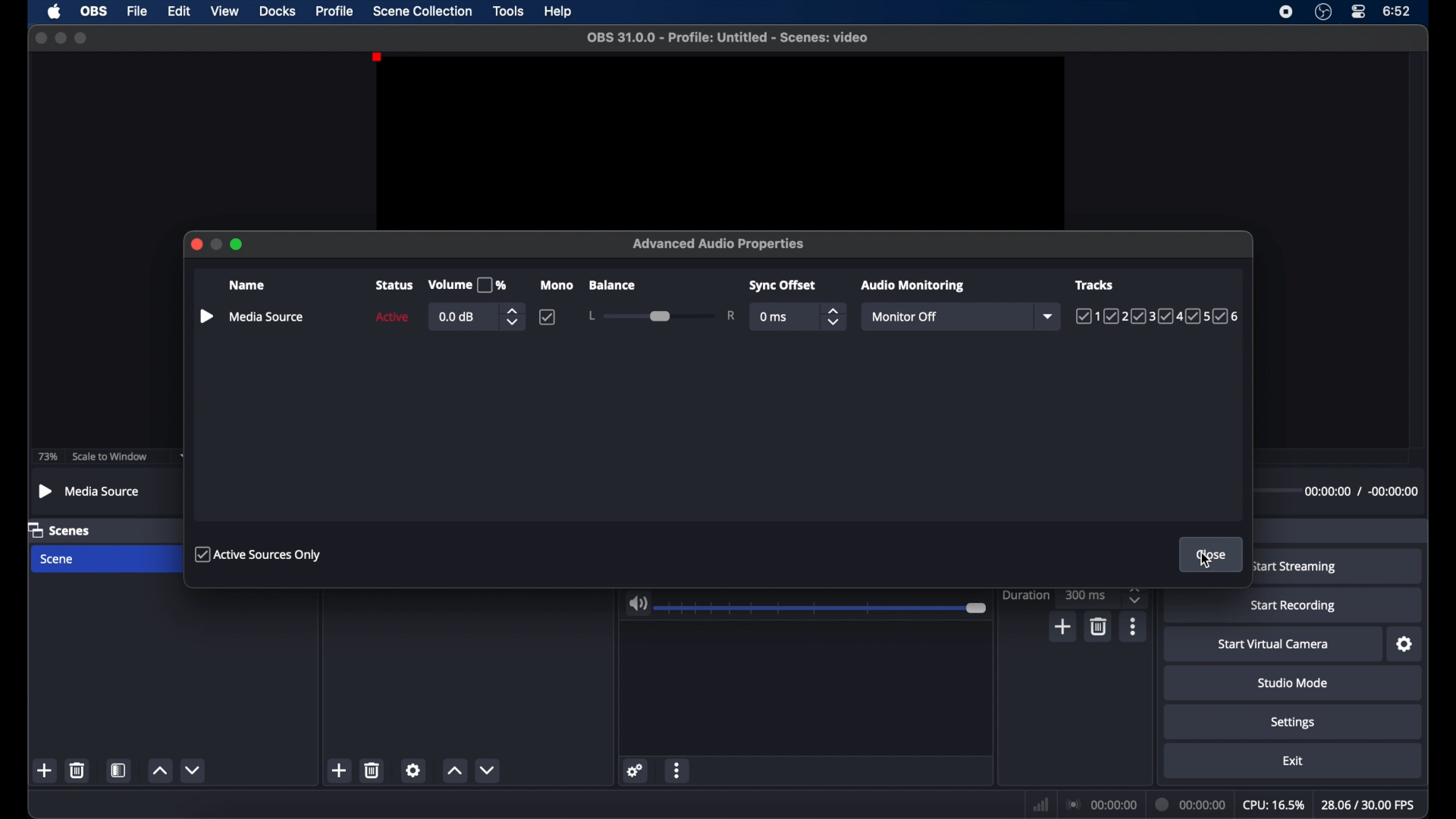 This screenshot has width=1456, height=819. What do you see at coordinates (392, 317) in the screenshot?
I see `active` at bounding box center [392, 317].